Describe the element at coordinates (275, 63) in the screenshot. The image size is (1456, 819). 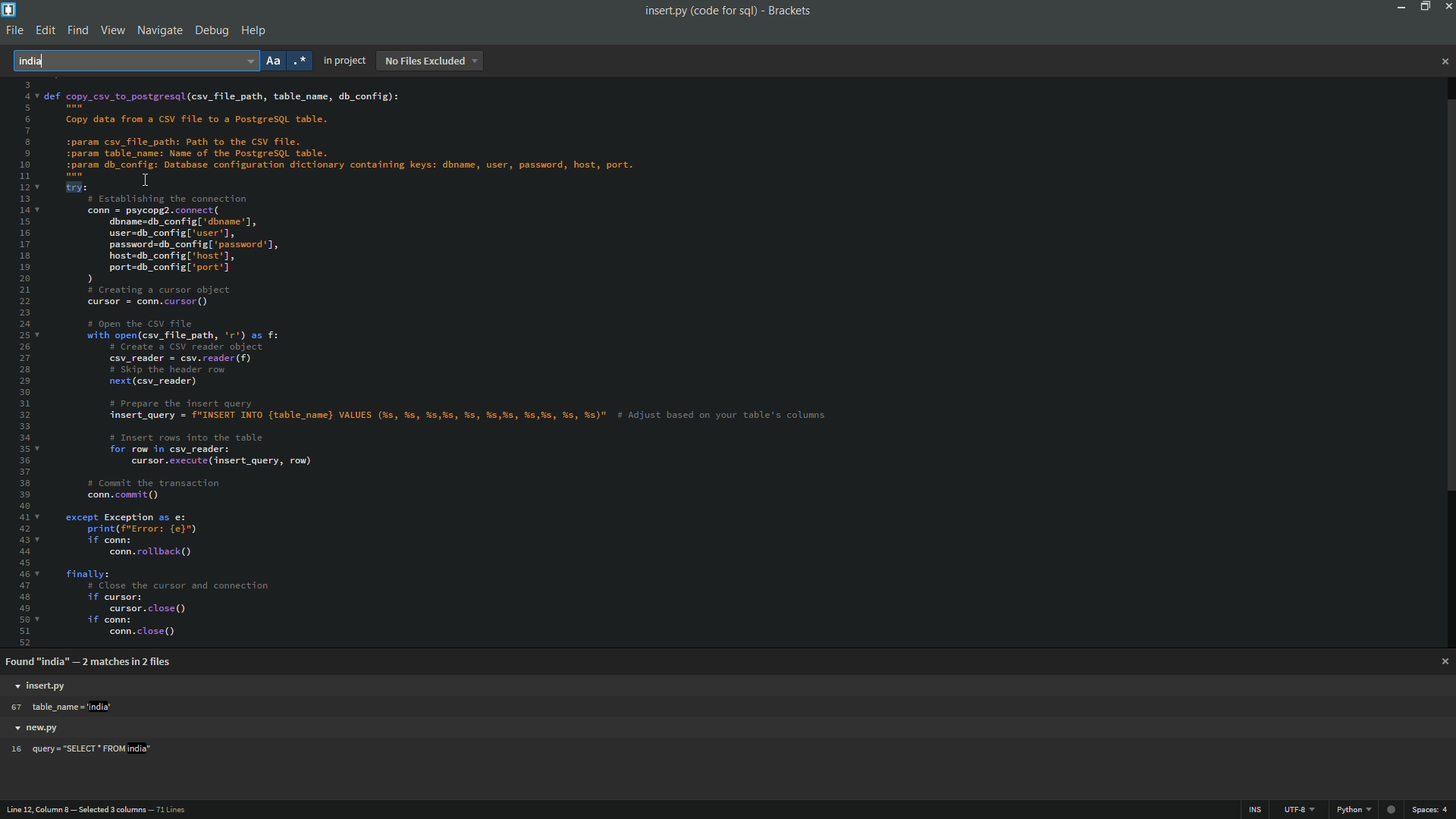
I see `match case` at that location.